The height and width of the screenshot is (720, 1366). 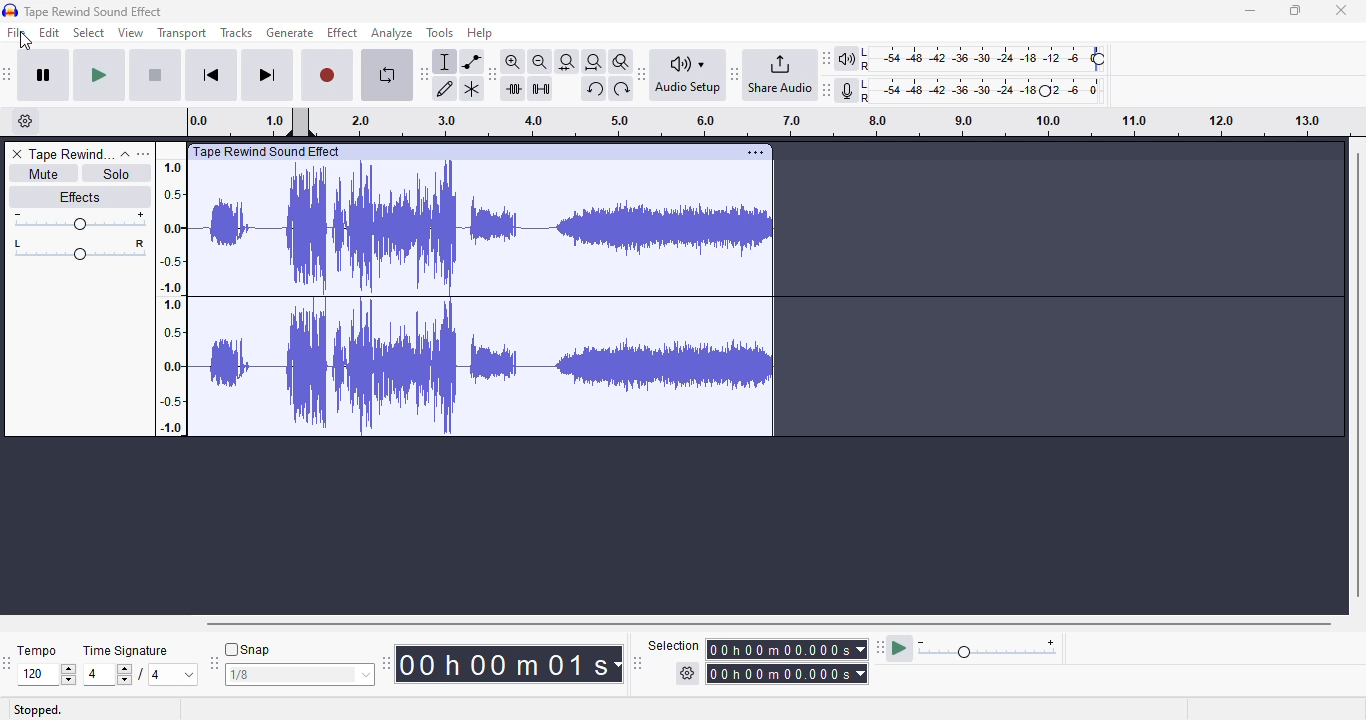 What do you see at coordinates (37, 710) in the screenshot?
I see `stopped` at bounding box center [37, 710].